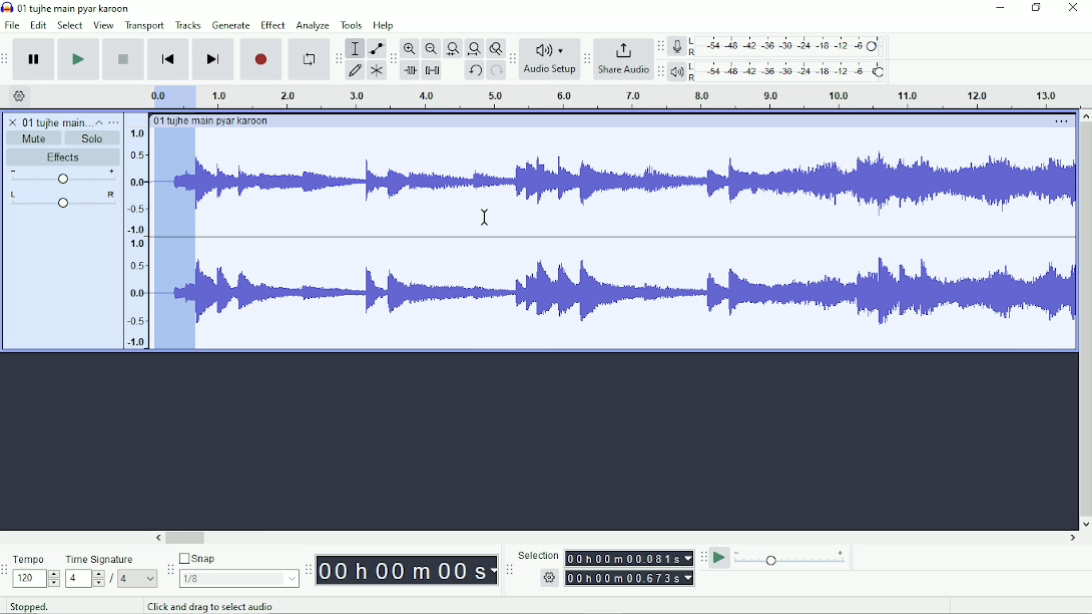  What do you see at coordinates (110, 559) in the screenshot?
I see `Time Signature` at bounding box center [110, 559].